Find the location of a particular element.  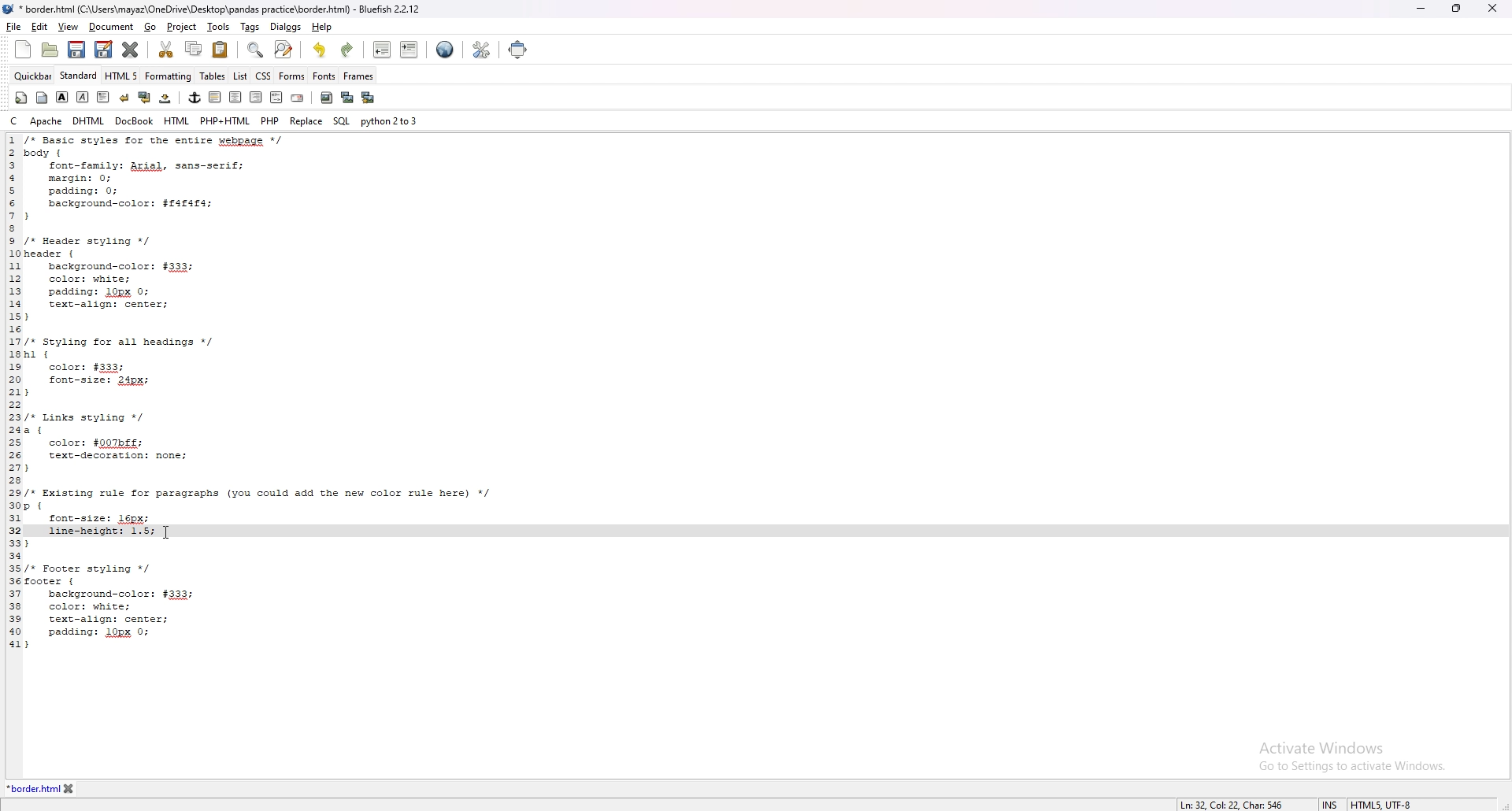

dialogs is located at coordinates (285, 27).